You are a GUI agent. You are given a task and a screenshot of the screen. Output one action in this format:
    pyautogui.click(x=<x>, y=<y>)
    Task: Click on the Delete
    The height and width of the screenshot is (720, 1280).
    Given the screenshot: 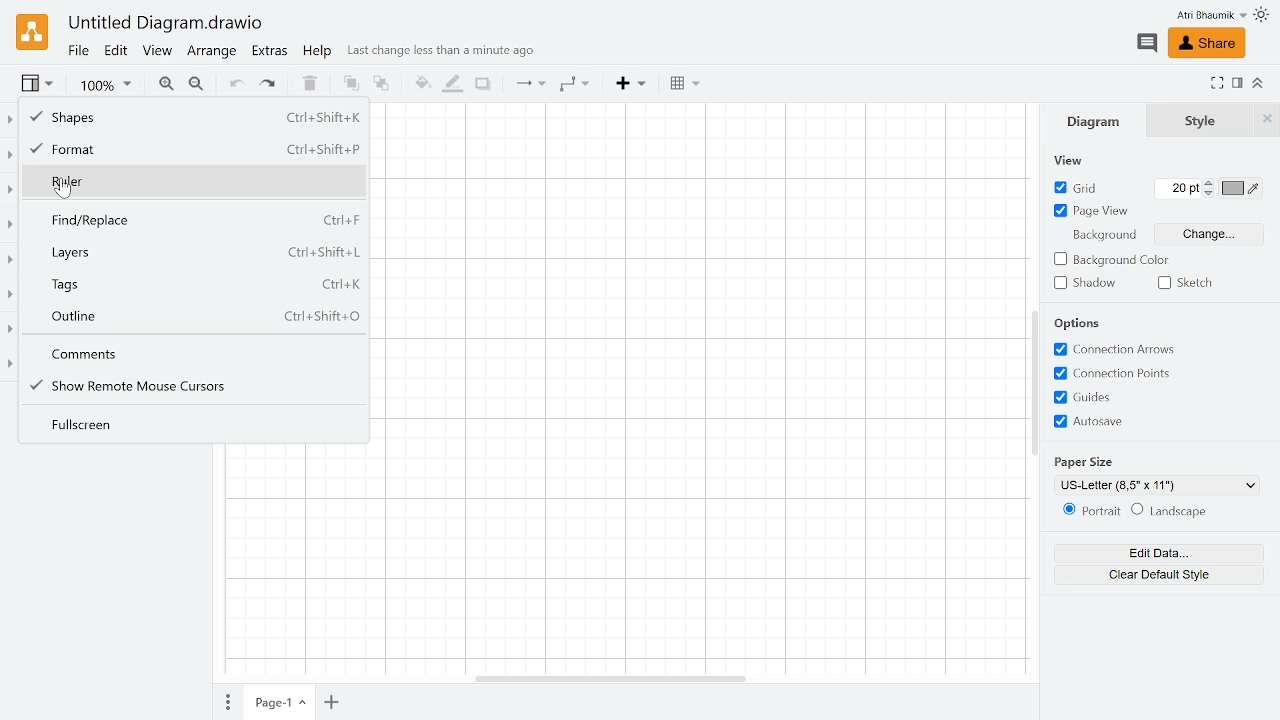 What is the action you would take?
    pyautogui.click(x=310, y=85)
    